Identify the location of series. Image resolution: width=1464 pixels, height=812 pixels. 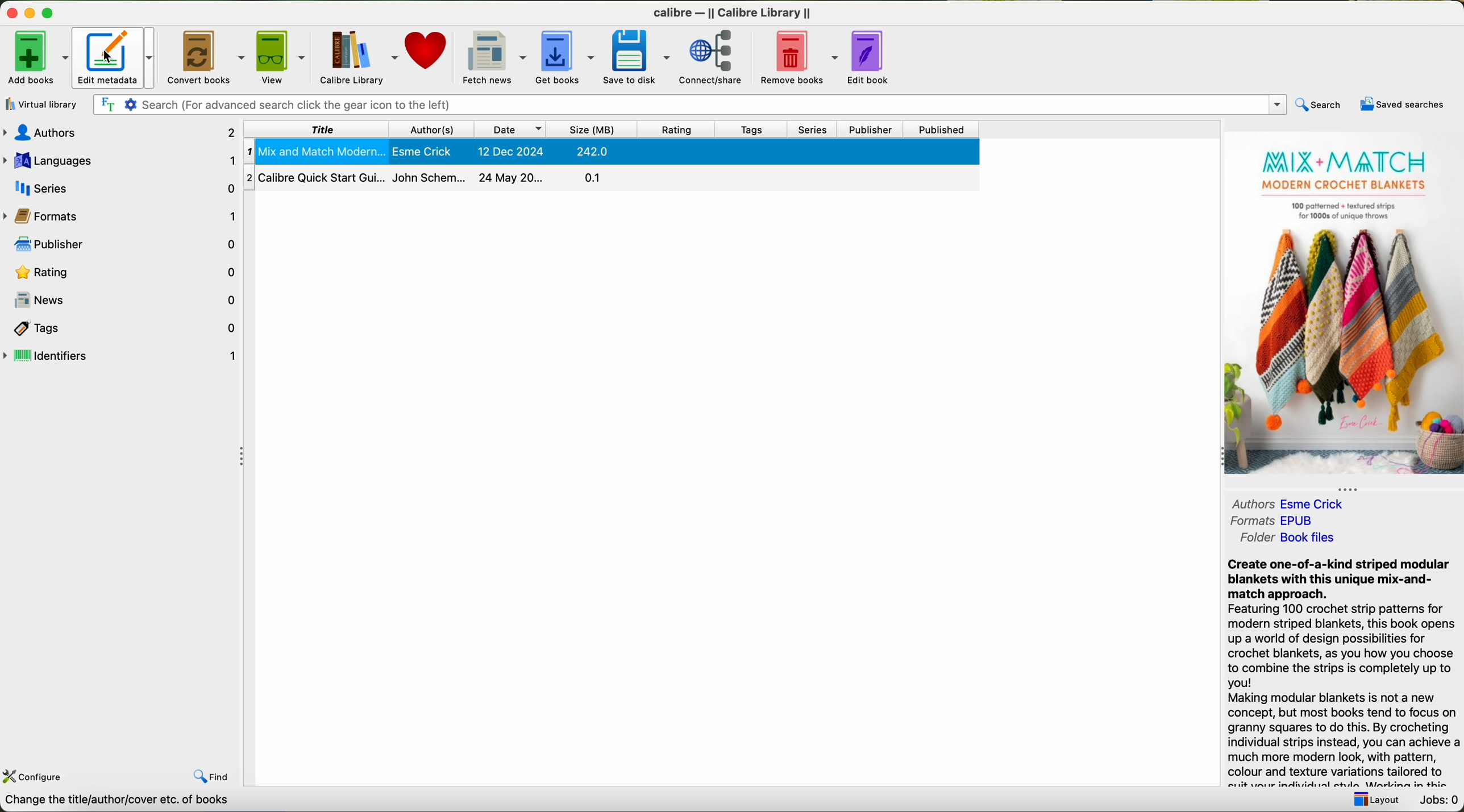
(813, 130).